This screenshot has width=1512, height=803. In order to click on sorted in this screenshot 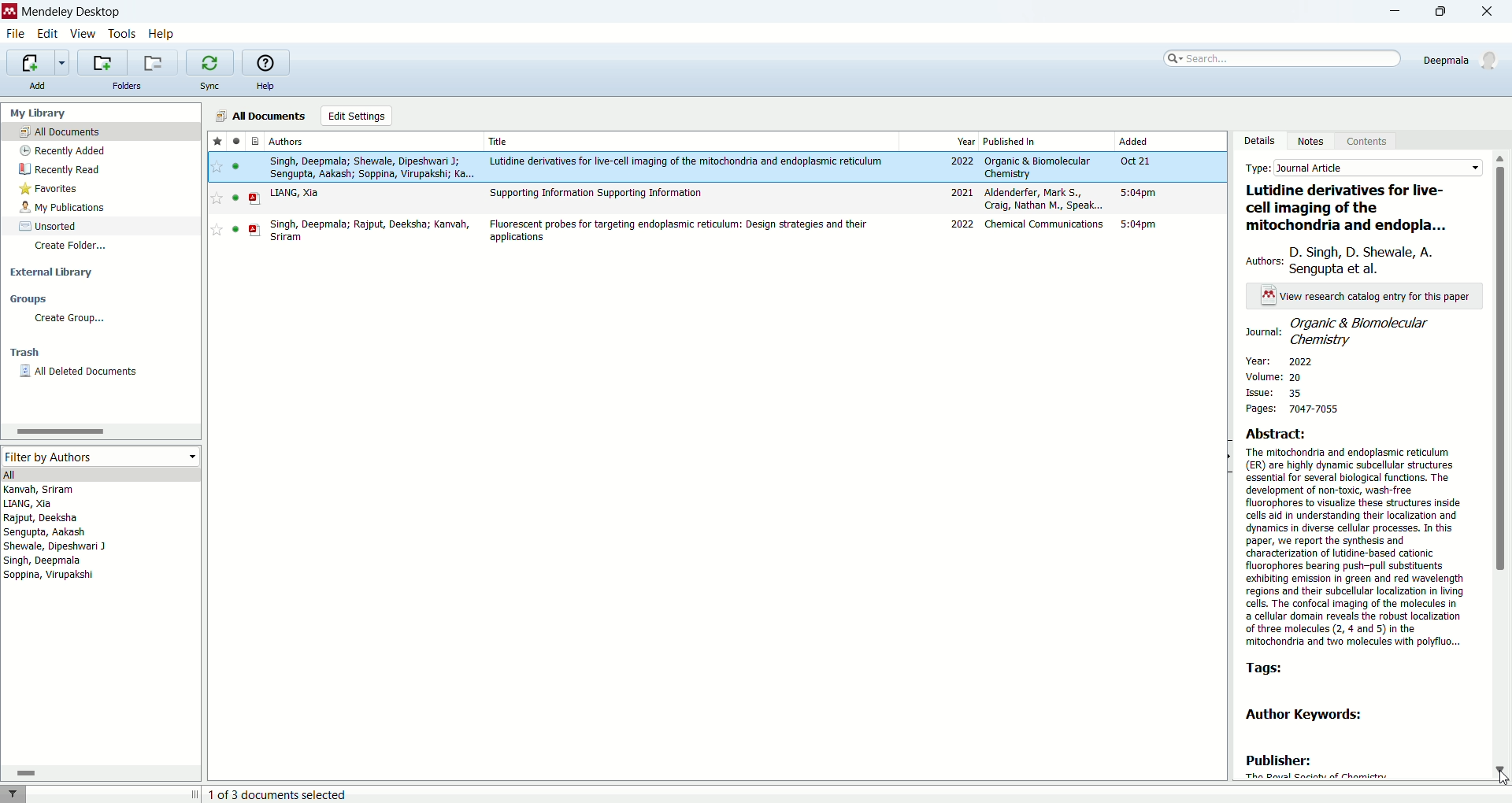, I will do `click(49, 226)`.